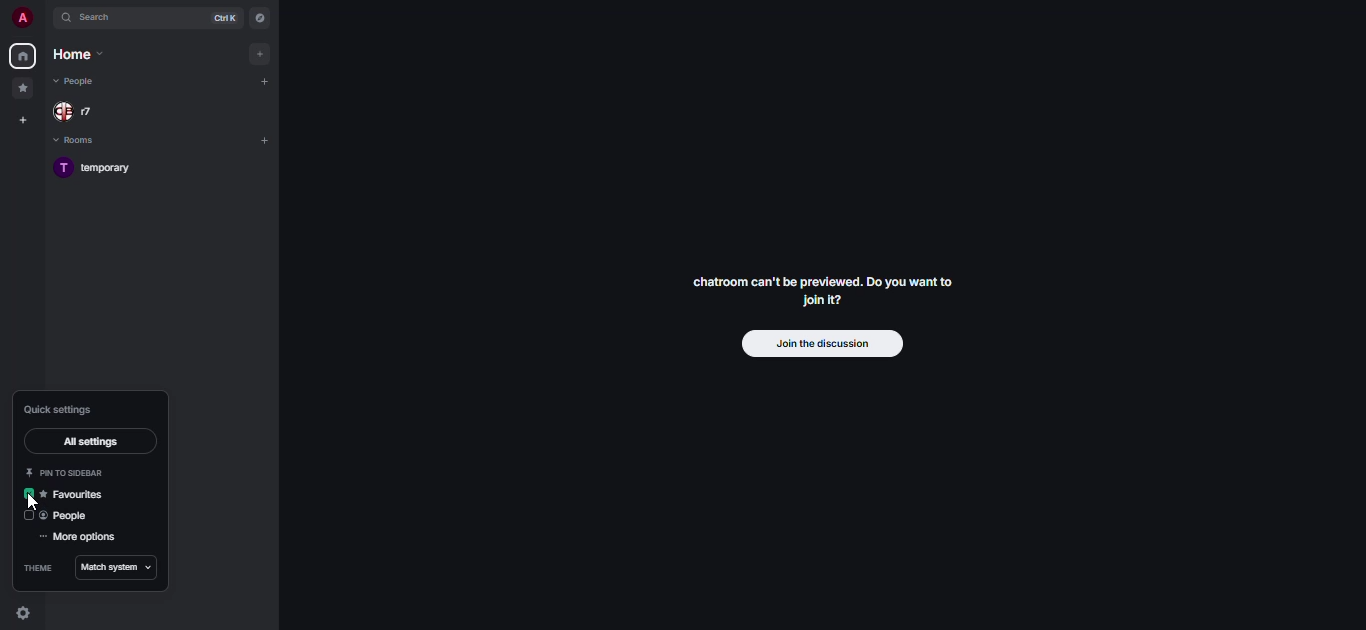 The width and height of the screenshot is (1366, 630). Describe the element at coordinates (265, 143) in the screenshot. I see `add` at that location.